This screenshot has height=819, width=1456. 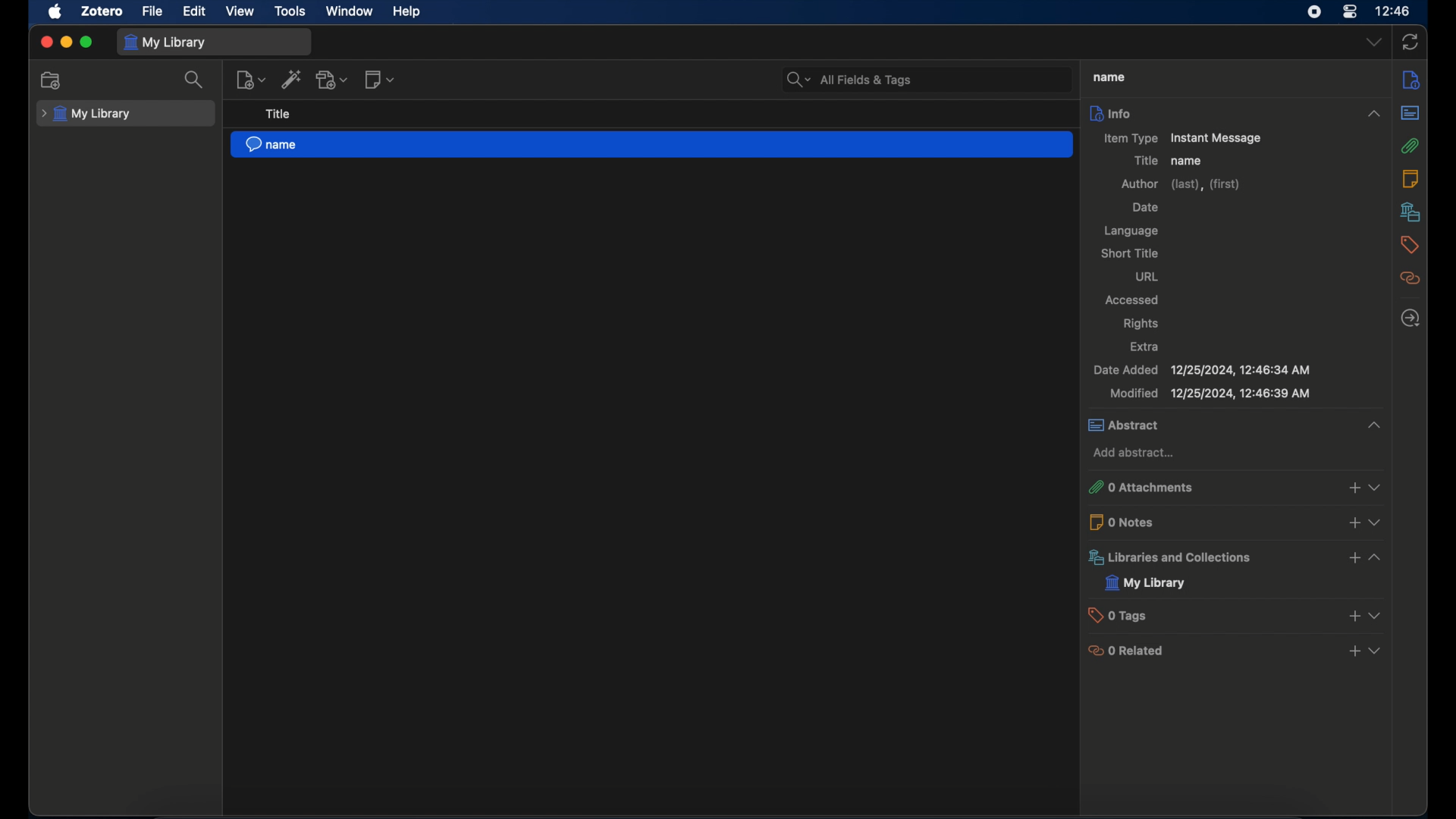 I want to click on 0 attachments, so click(x=1233, y=487).